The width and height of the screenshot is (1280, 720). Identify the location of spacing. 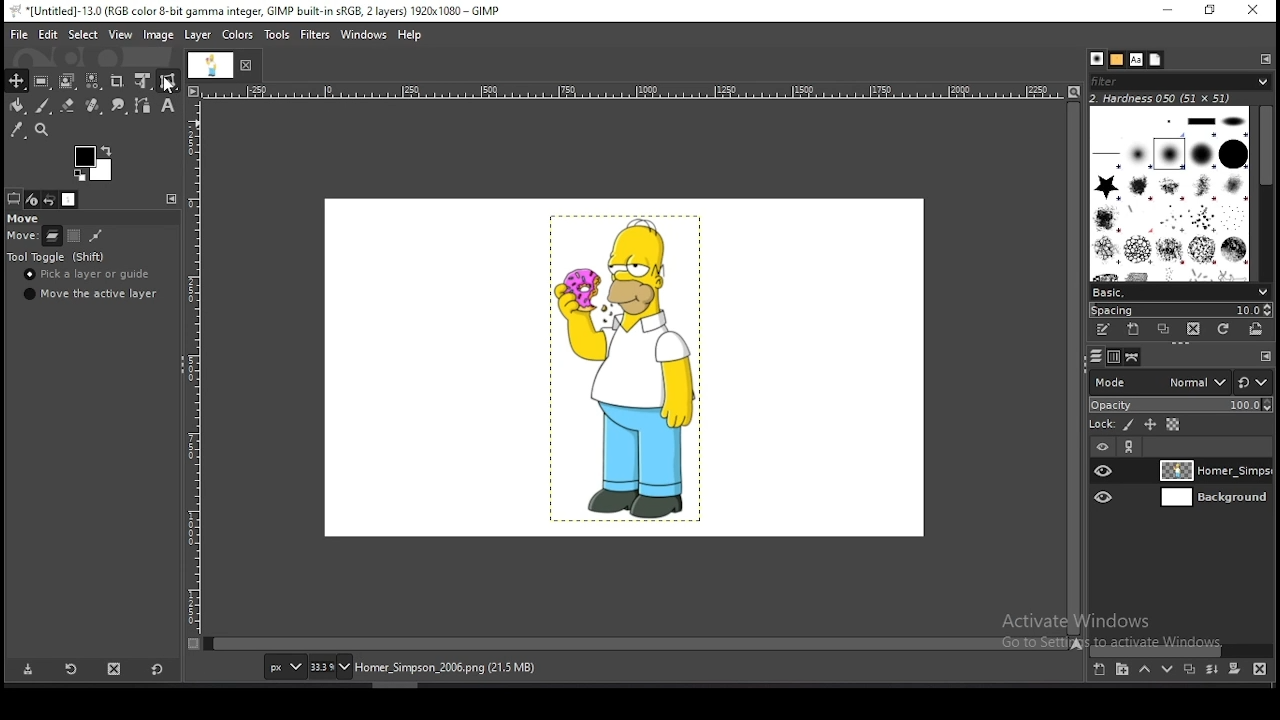
(1180, 309).